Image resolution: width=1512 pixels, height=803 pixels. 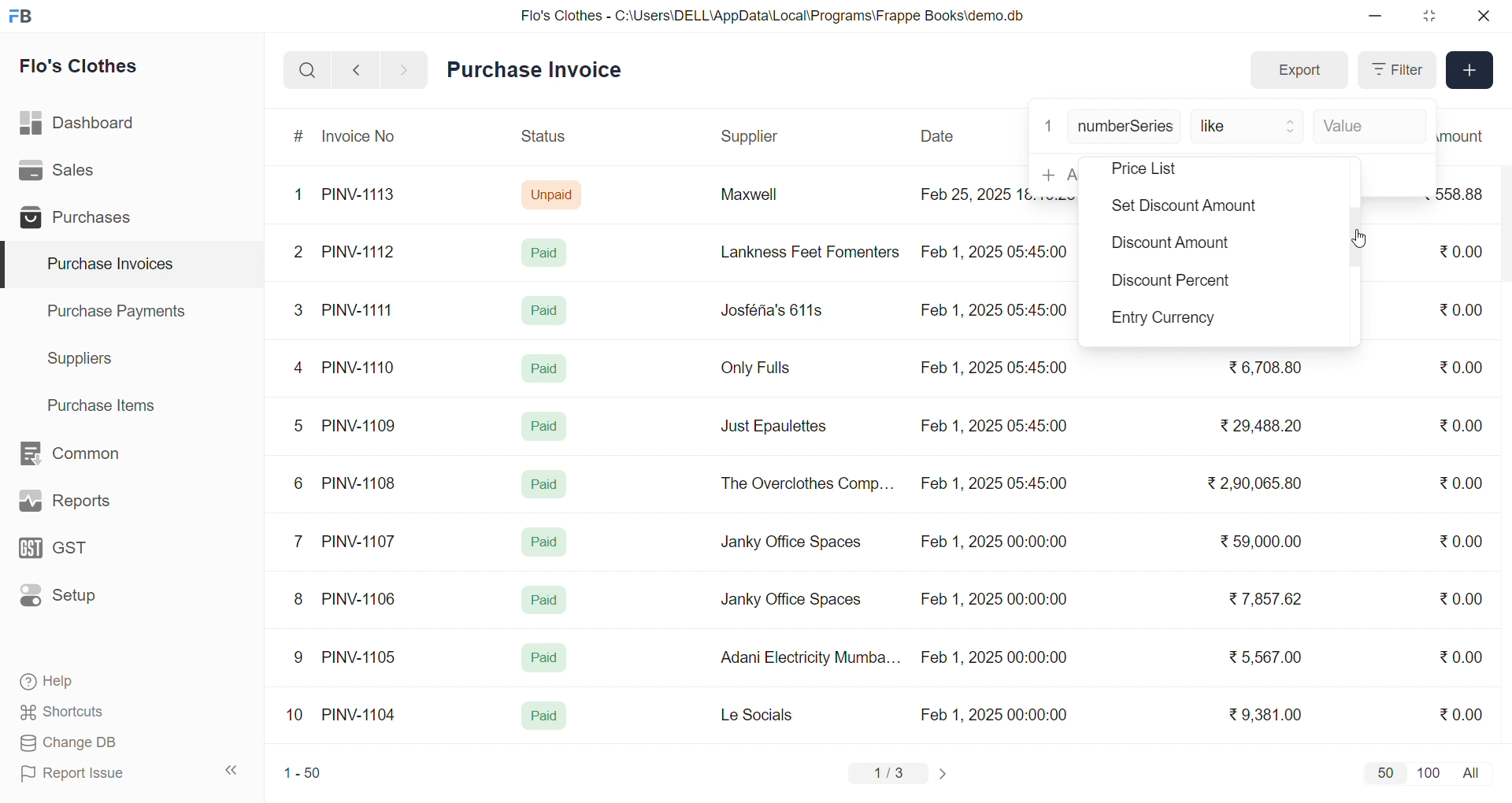 I want to click on ₹0.00, so click(x=1461, y=713).